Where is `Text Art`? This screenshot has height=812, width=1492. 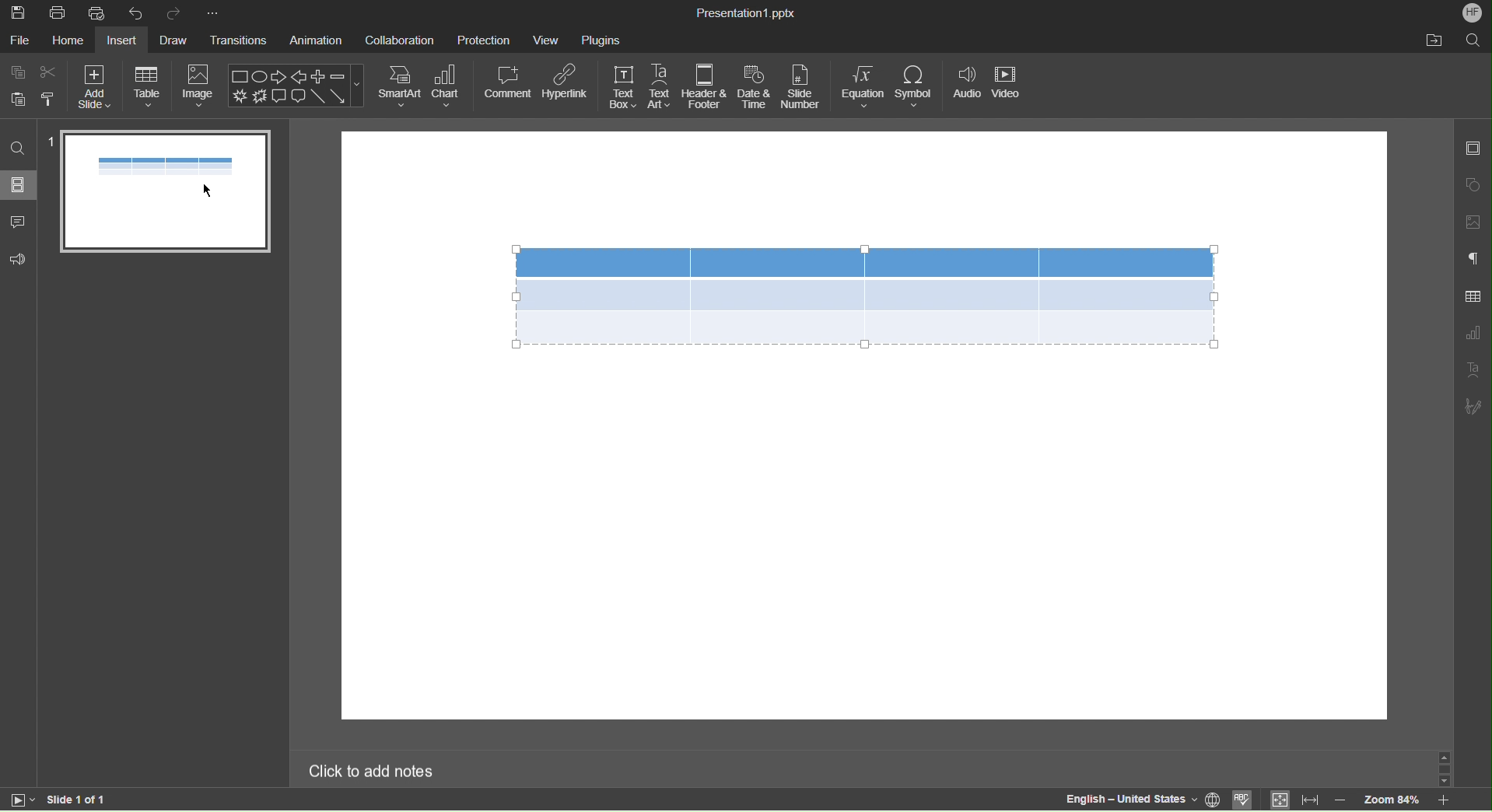
Text Art is located at coordinates (1474, 370).